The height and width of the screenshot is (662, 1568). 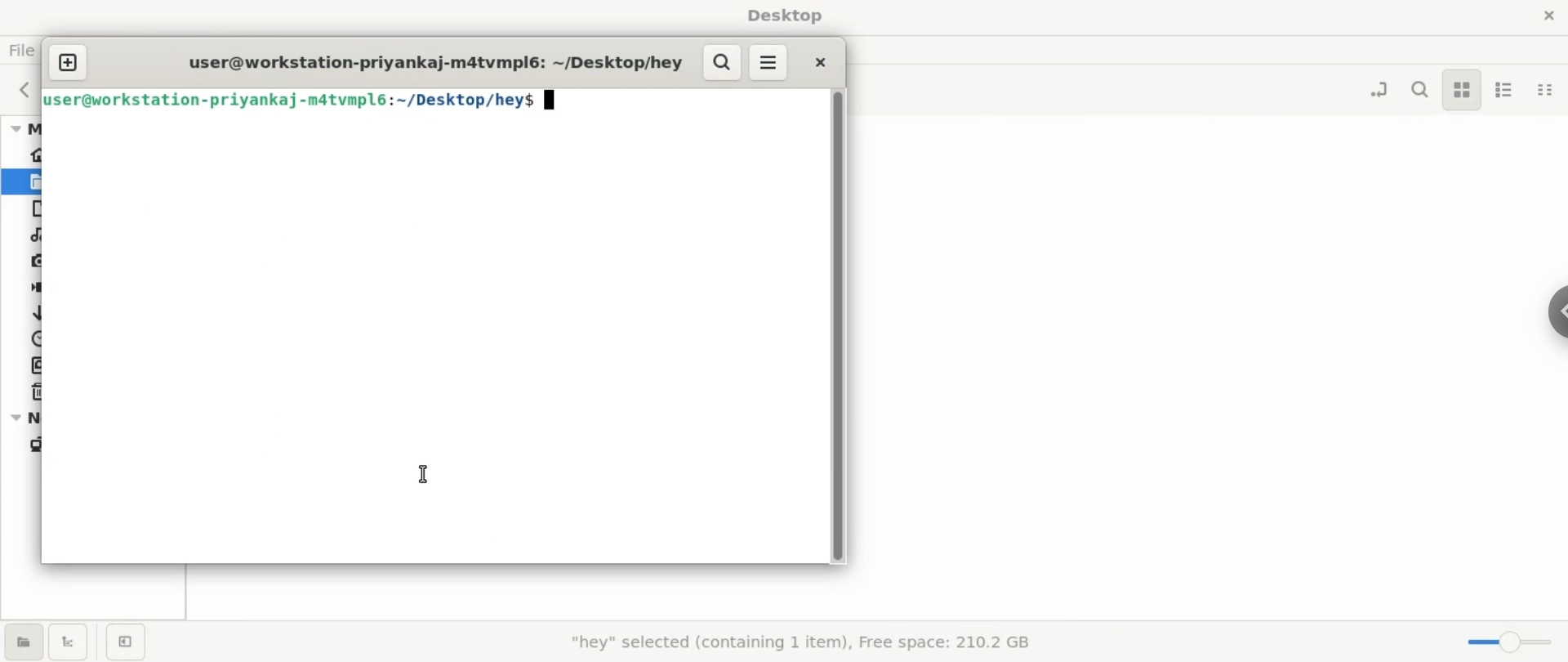 I want to click on zoom, so click(x=1508, y=642).